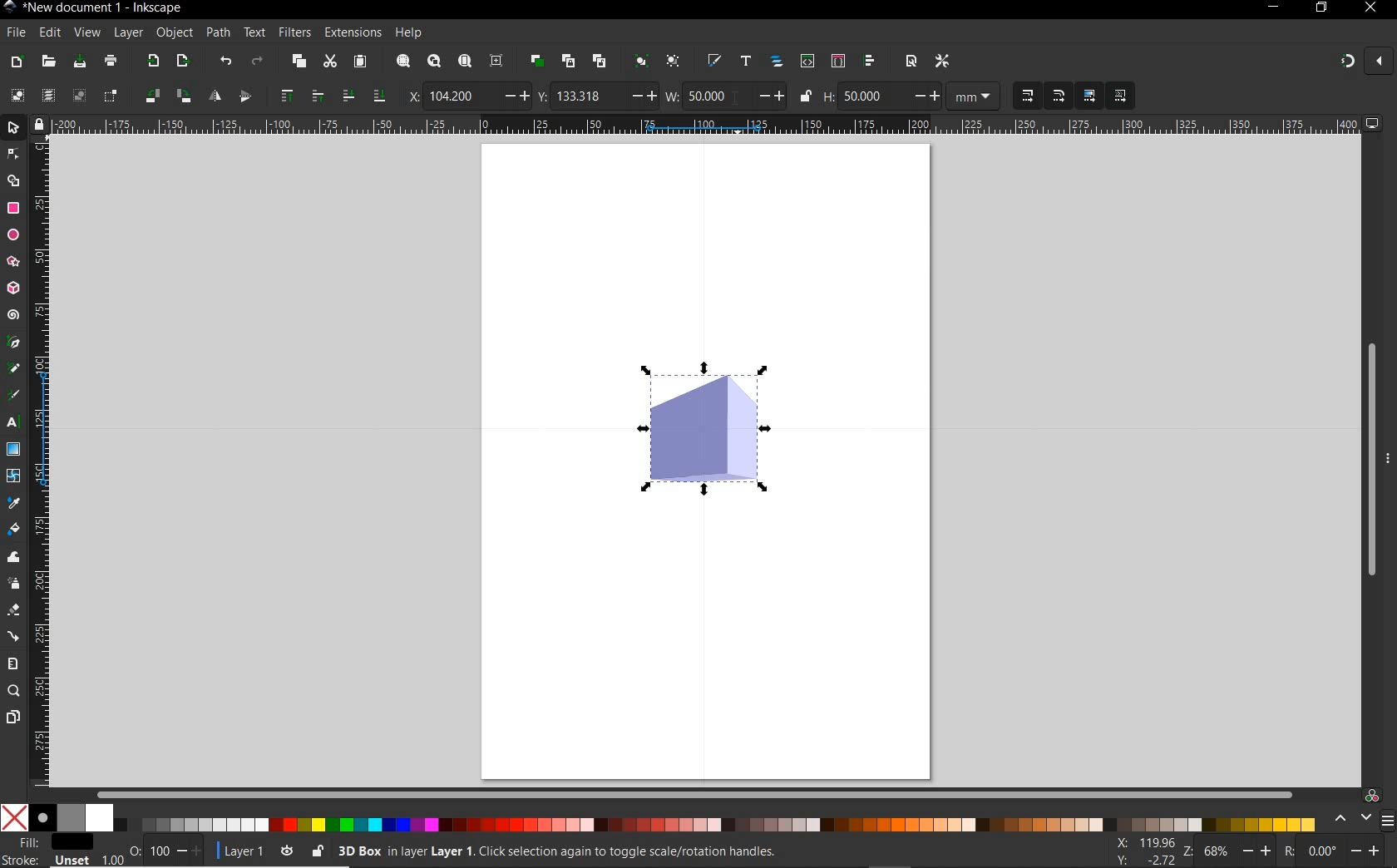 The width and height of the screenshot is (1397, 868). What do you see at coordinates (536, 62) in the screenshot?
I see `duplicate` at bounding box center [536, 62].